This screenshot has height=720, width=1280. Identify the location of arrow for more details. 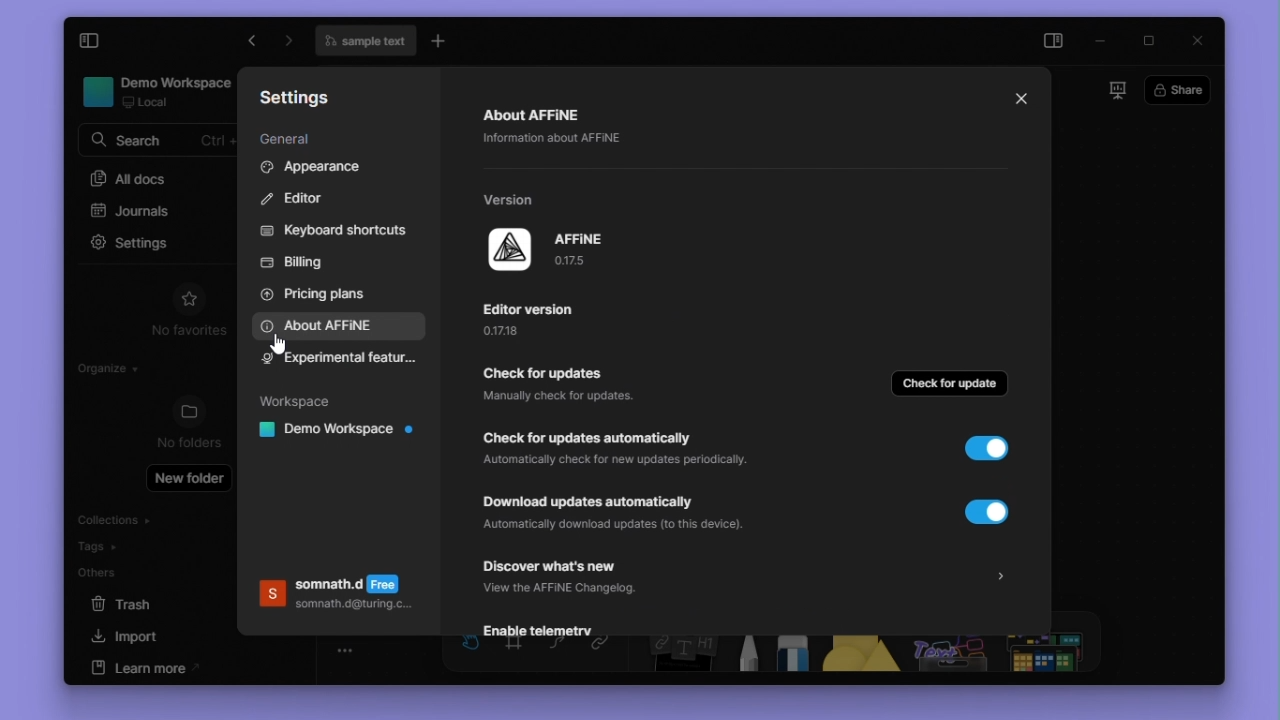
(1005, 576).